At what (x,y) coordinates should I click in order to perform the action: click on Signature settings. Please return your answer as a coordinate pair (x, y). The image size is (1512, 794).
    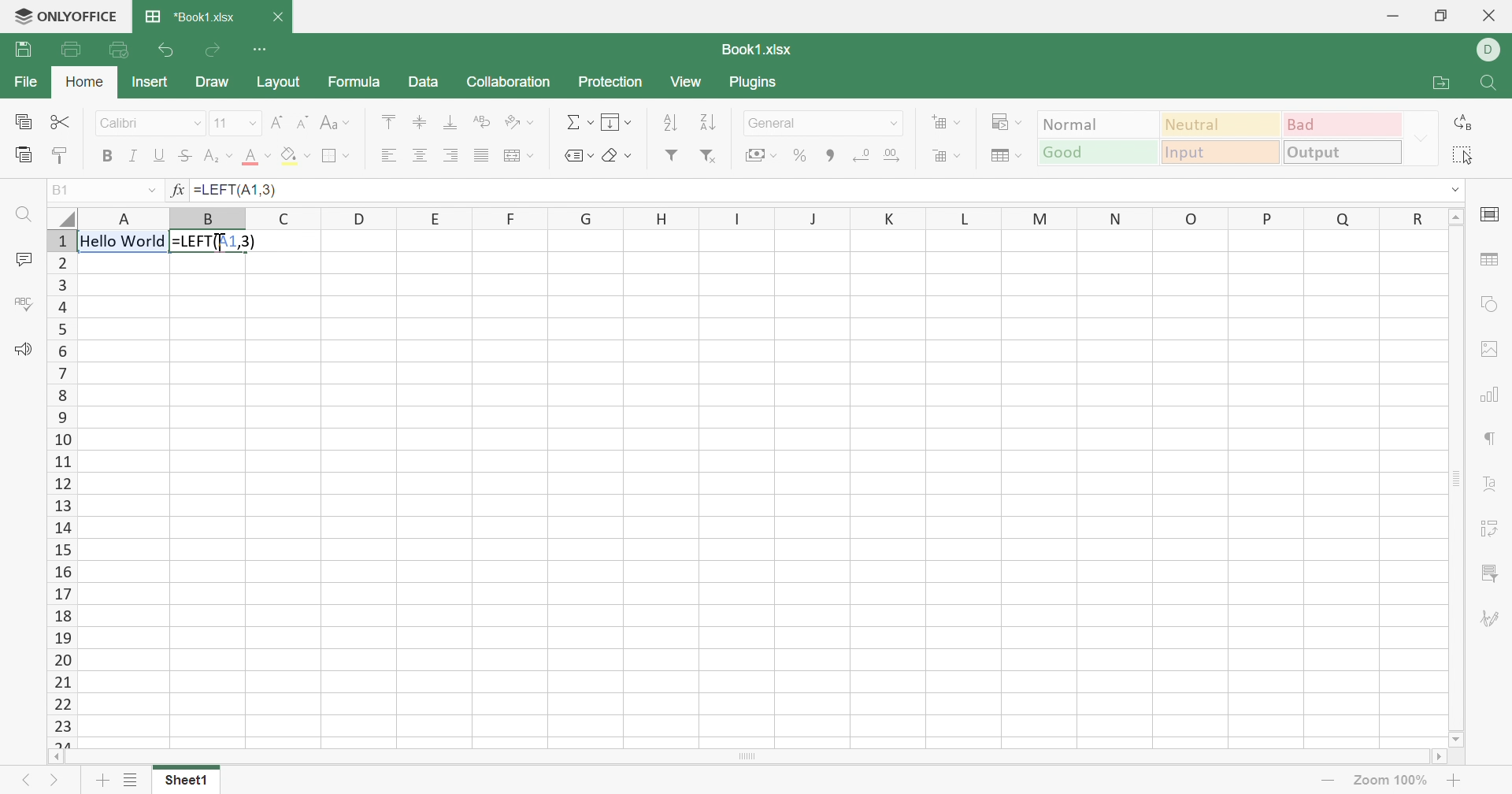
    Looking at the image, I should click on (1487, 618).